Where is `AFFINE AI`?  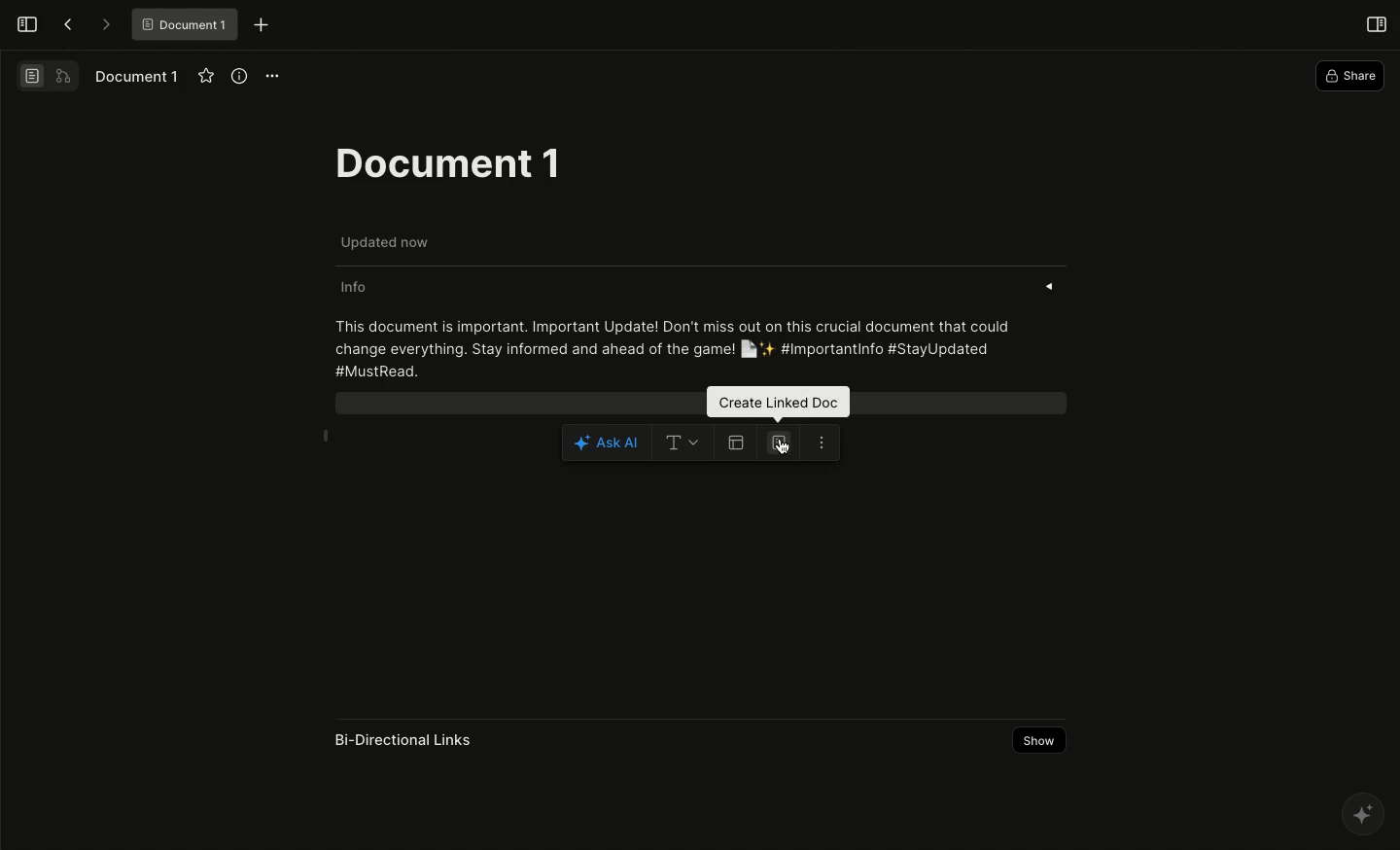
AFFINE AI is located at coordinates (1360, 815).